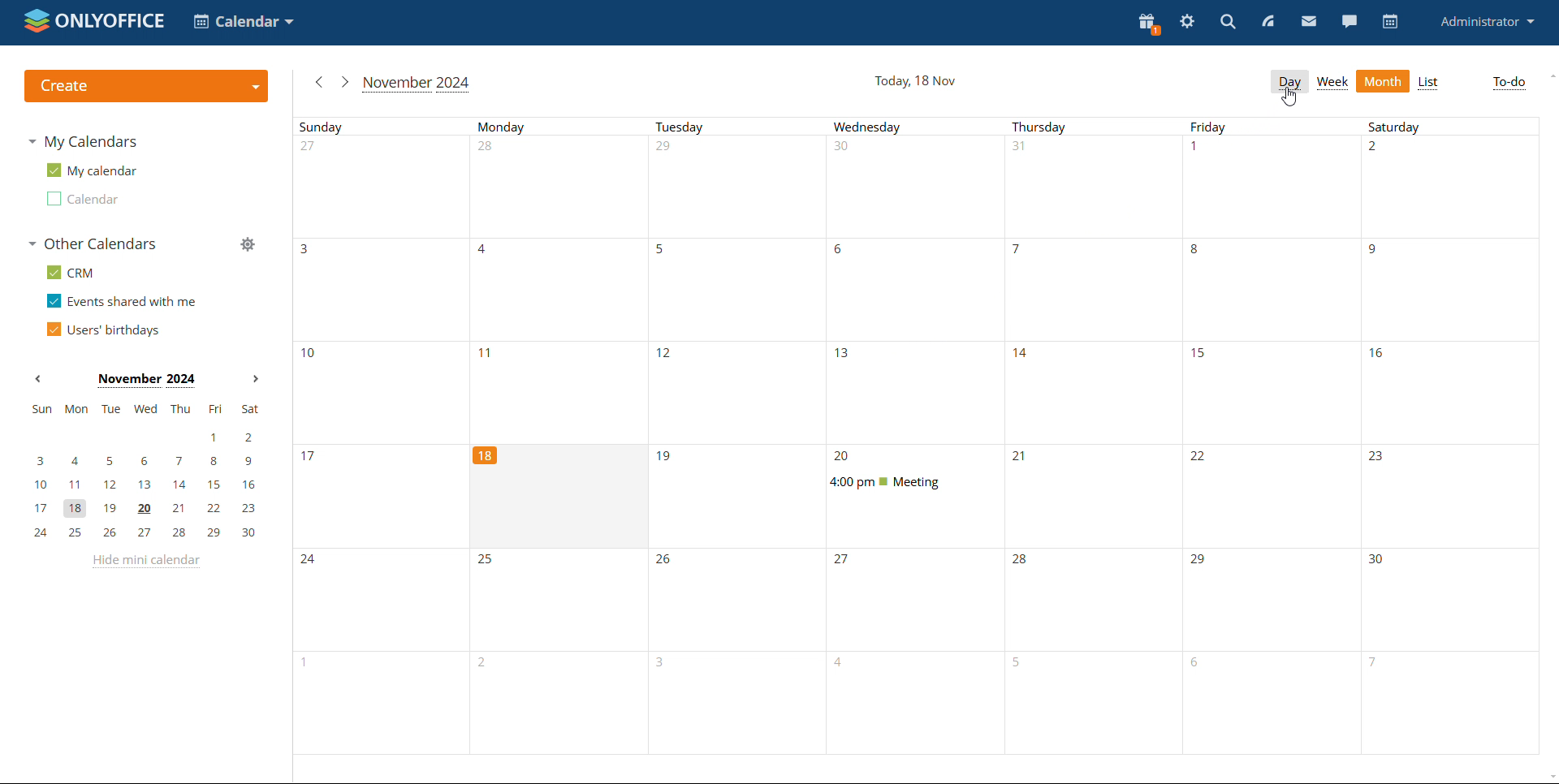  I want to click on select application, so click(245, 21).